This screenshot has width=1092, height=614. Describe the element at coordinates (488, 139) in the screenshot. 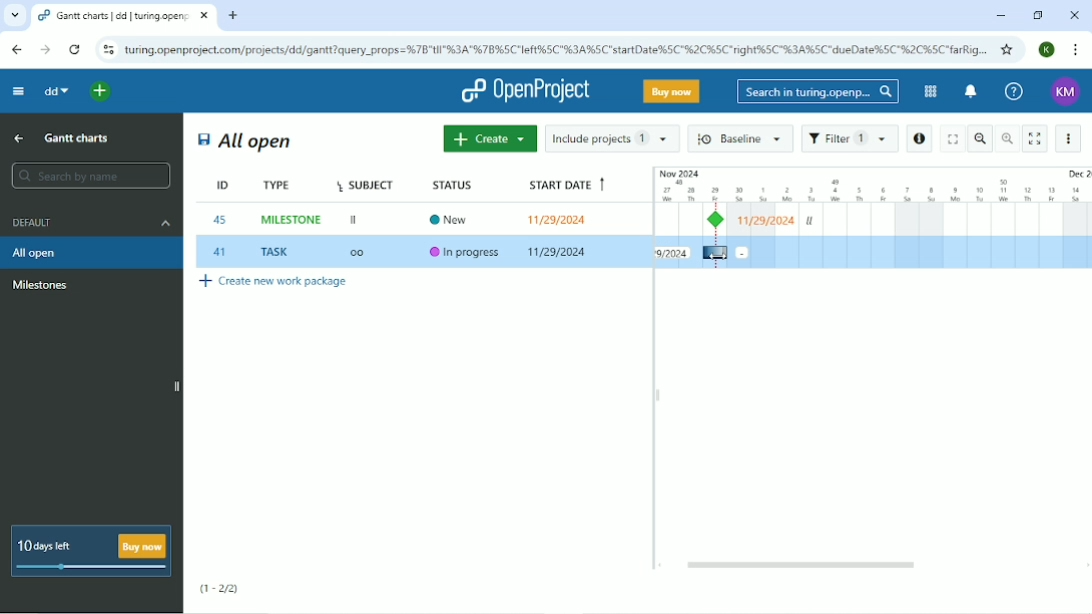

I see `Create` at that location.